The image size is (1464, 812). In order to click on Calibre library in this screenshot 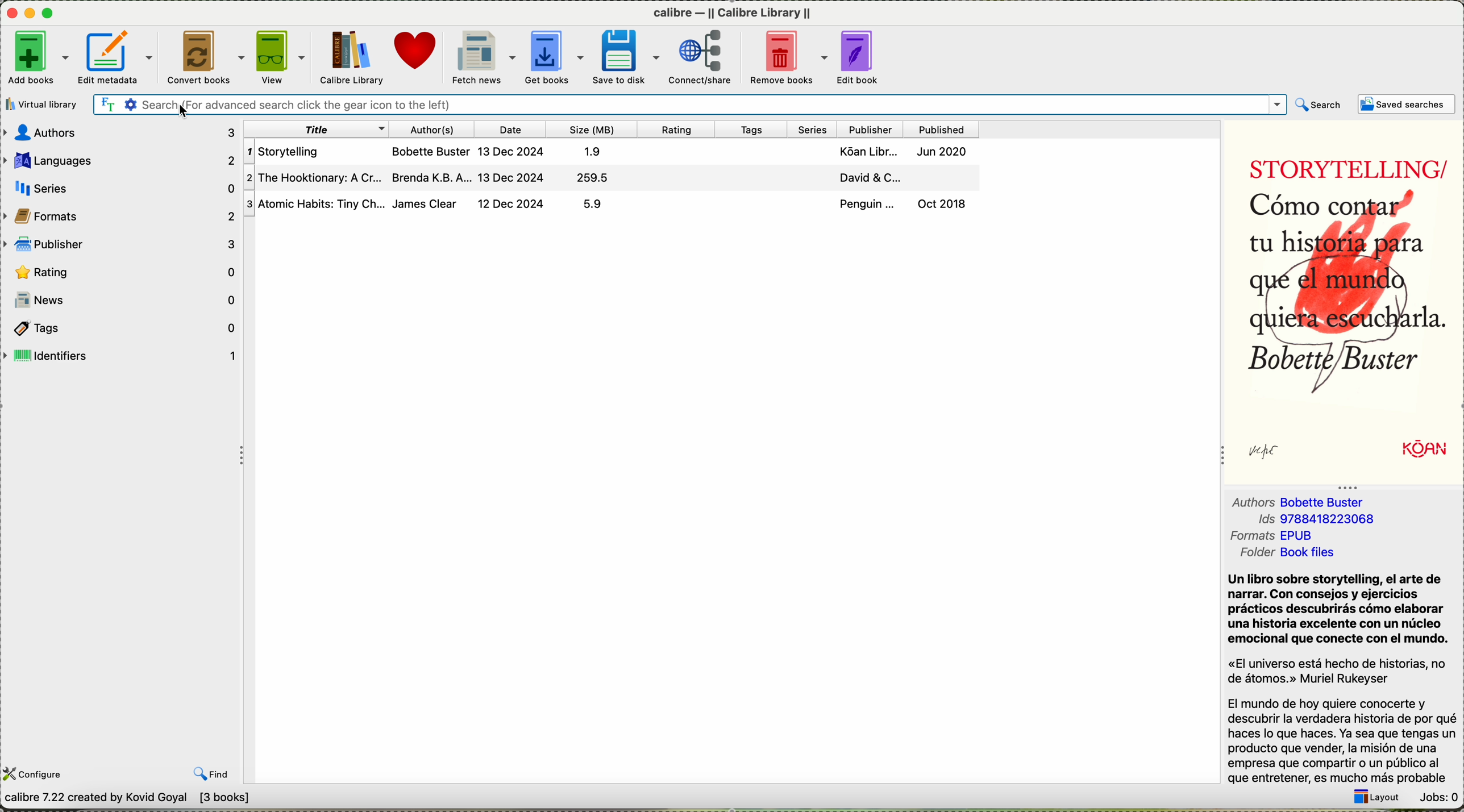, I will do `click(351, 56)`.